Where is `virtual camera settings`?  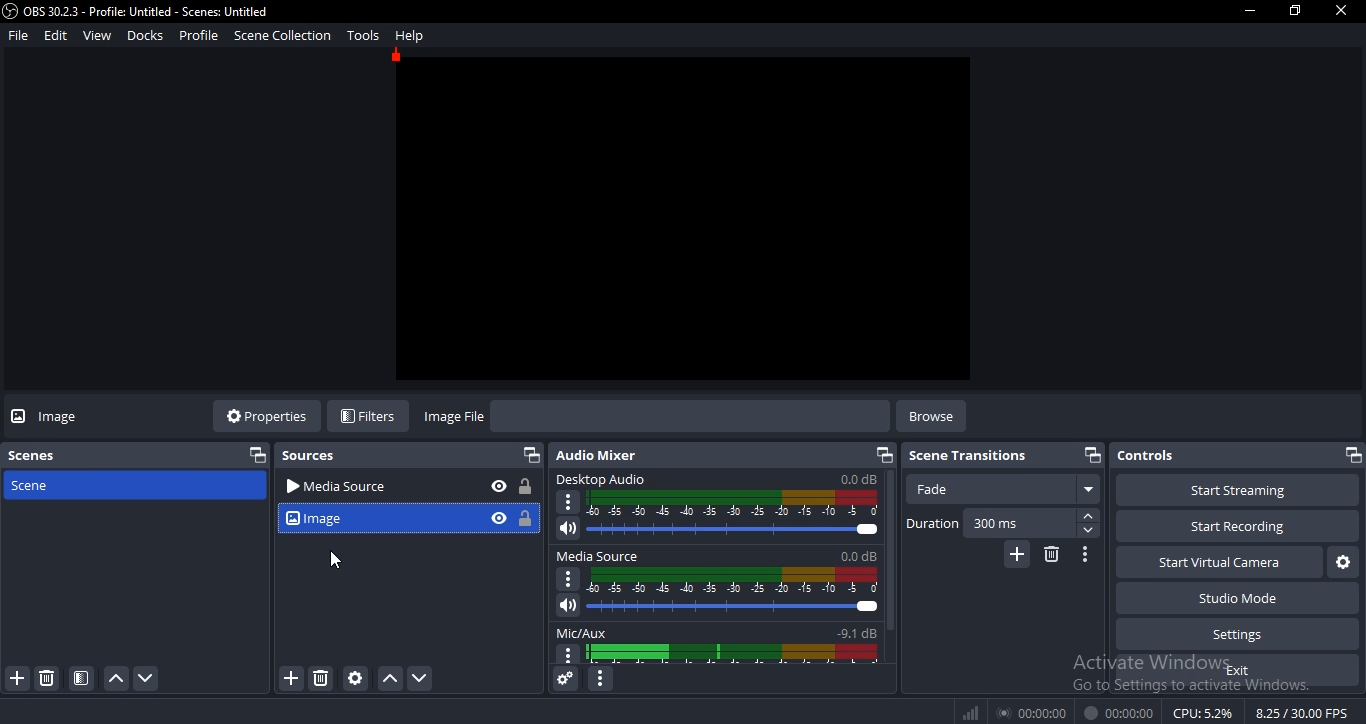
virtual camera settings is located at coordinates (1343, 565).